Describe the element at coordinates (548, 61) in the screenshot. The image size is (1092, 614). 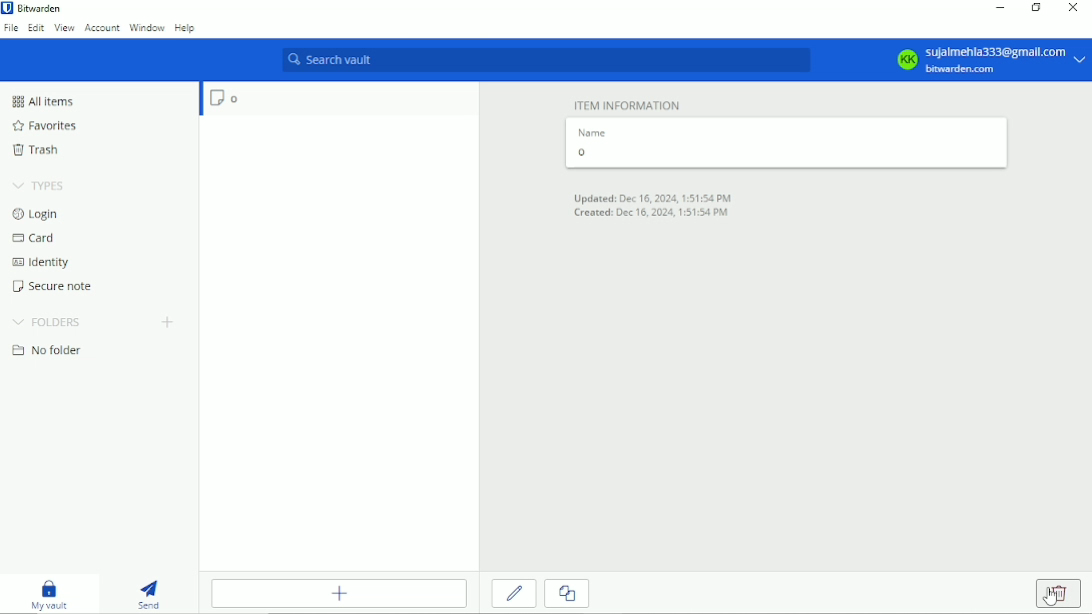
I see `Search vault` at that location.